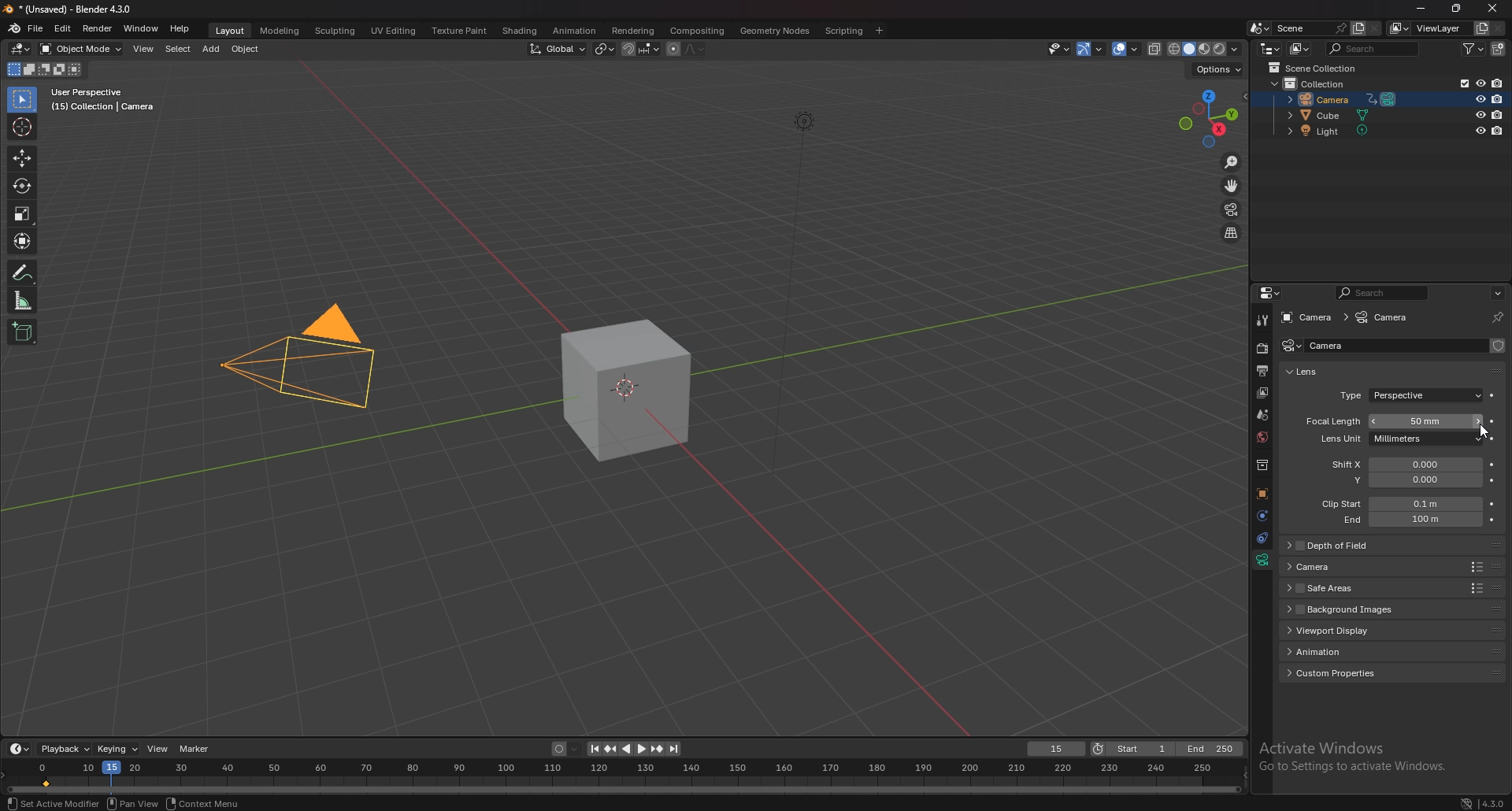  Describe the element at coordinates (1264, 415) in the screenshot. I see `scene` at that location.